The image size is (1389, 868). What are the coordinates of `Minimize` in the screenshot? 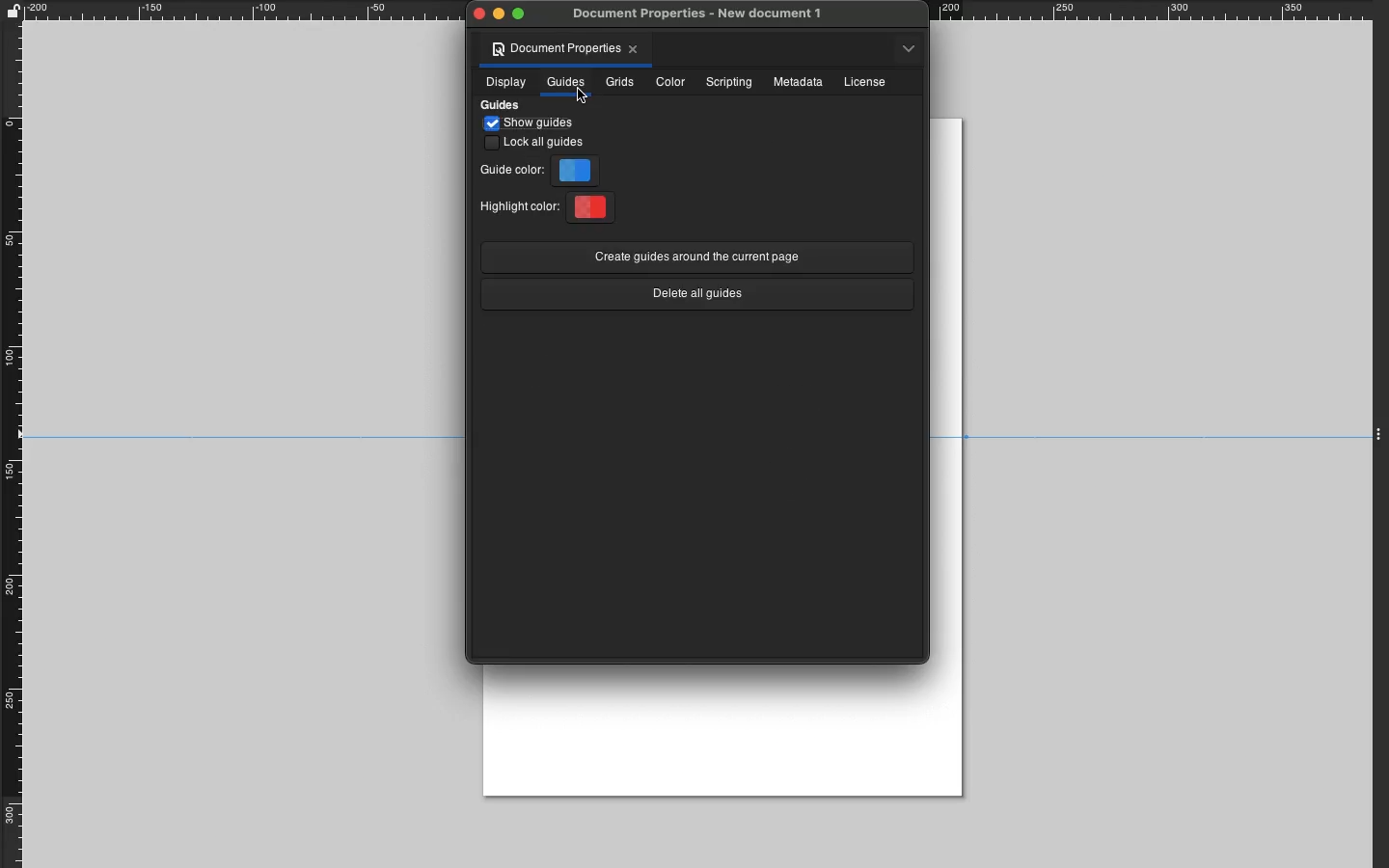 It's located at (500, 14).